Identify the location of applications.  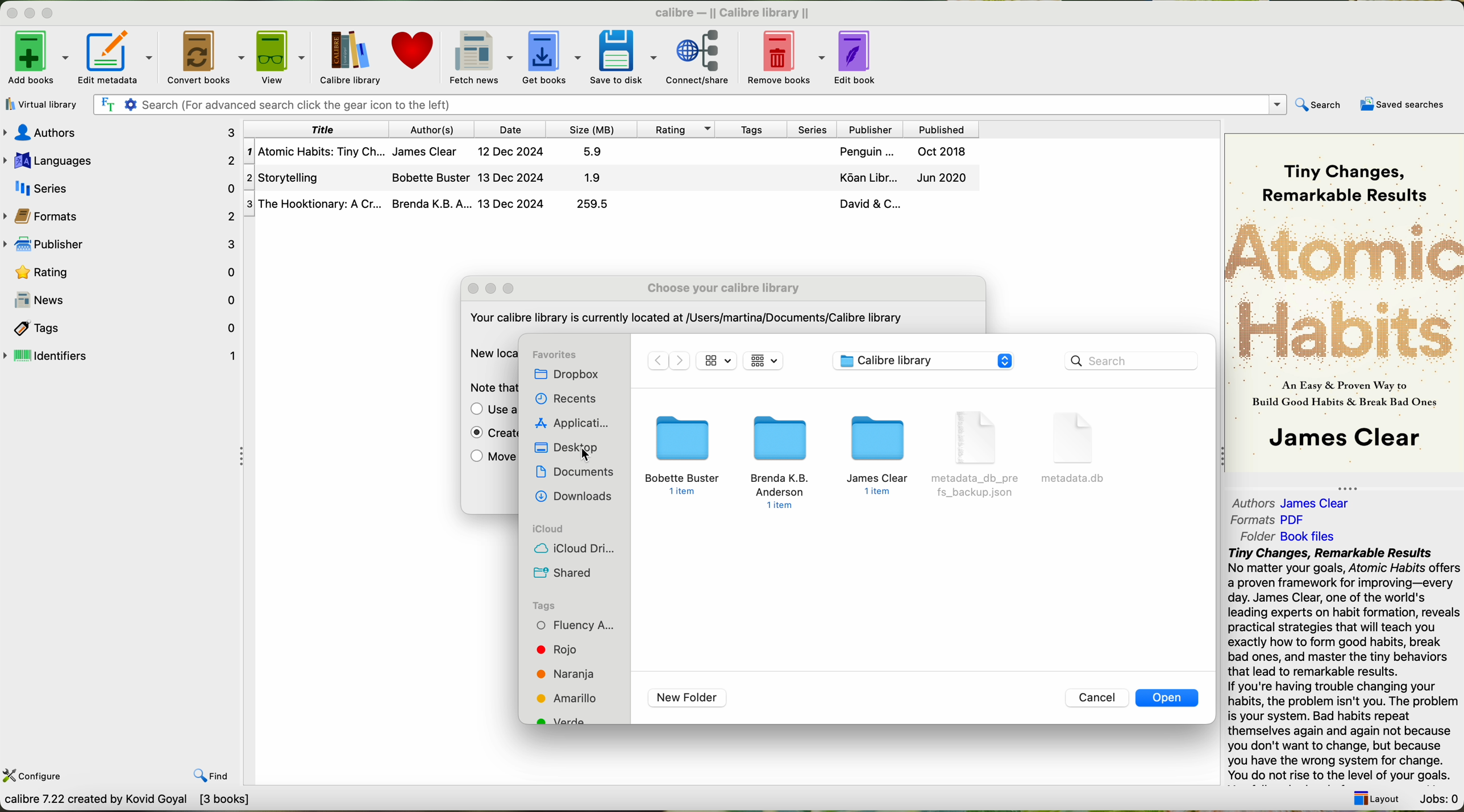
(572, 423).